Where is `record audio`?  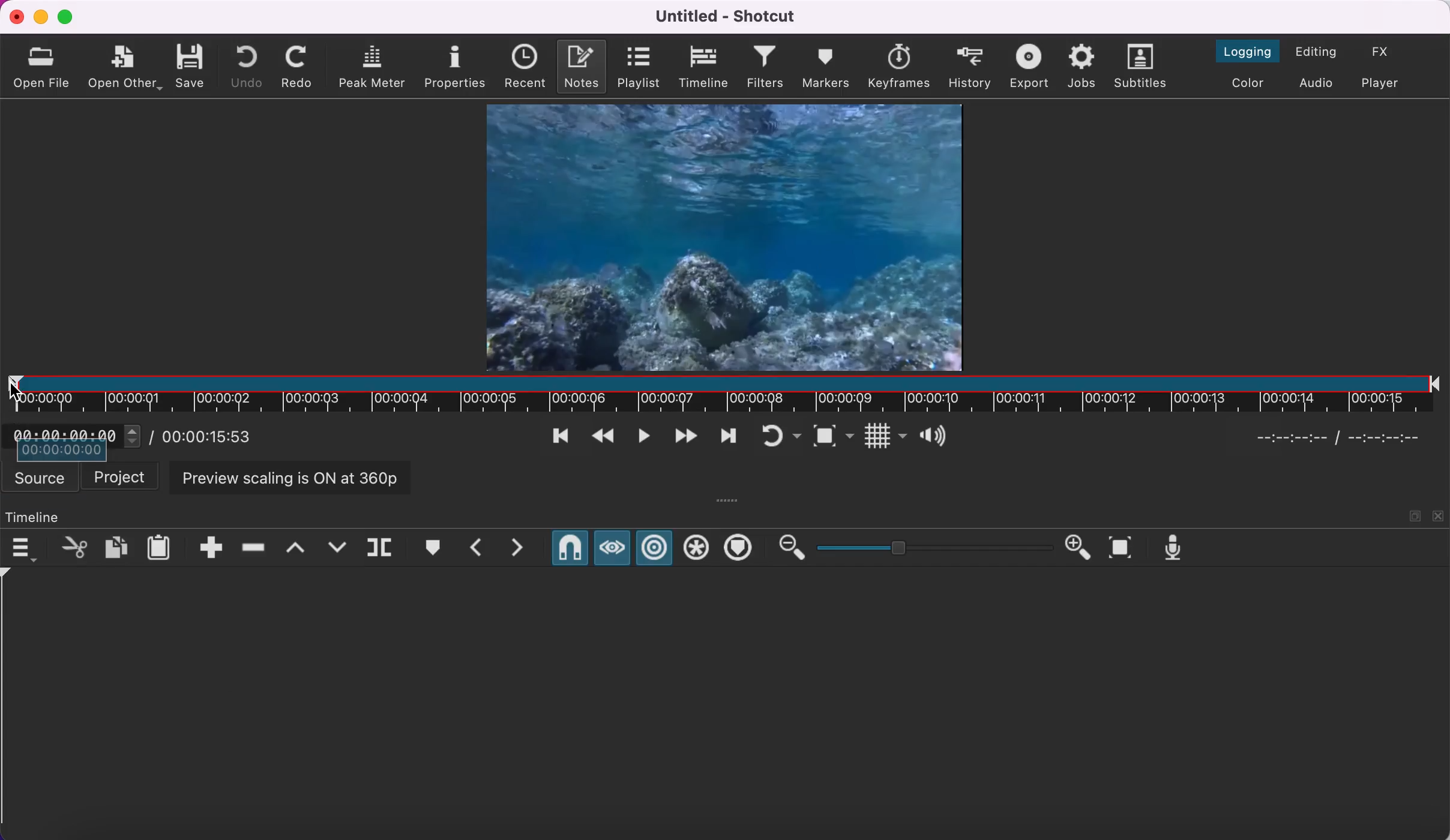 record audio is located at coordinates (1178, 549).